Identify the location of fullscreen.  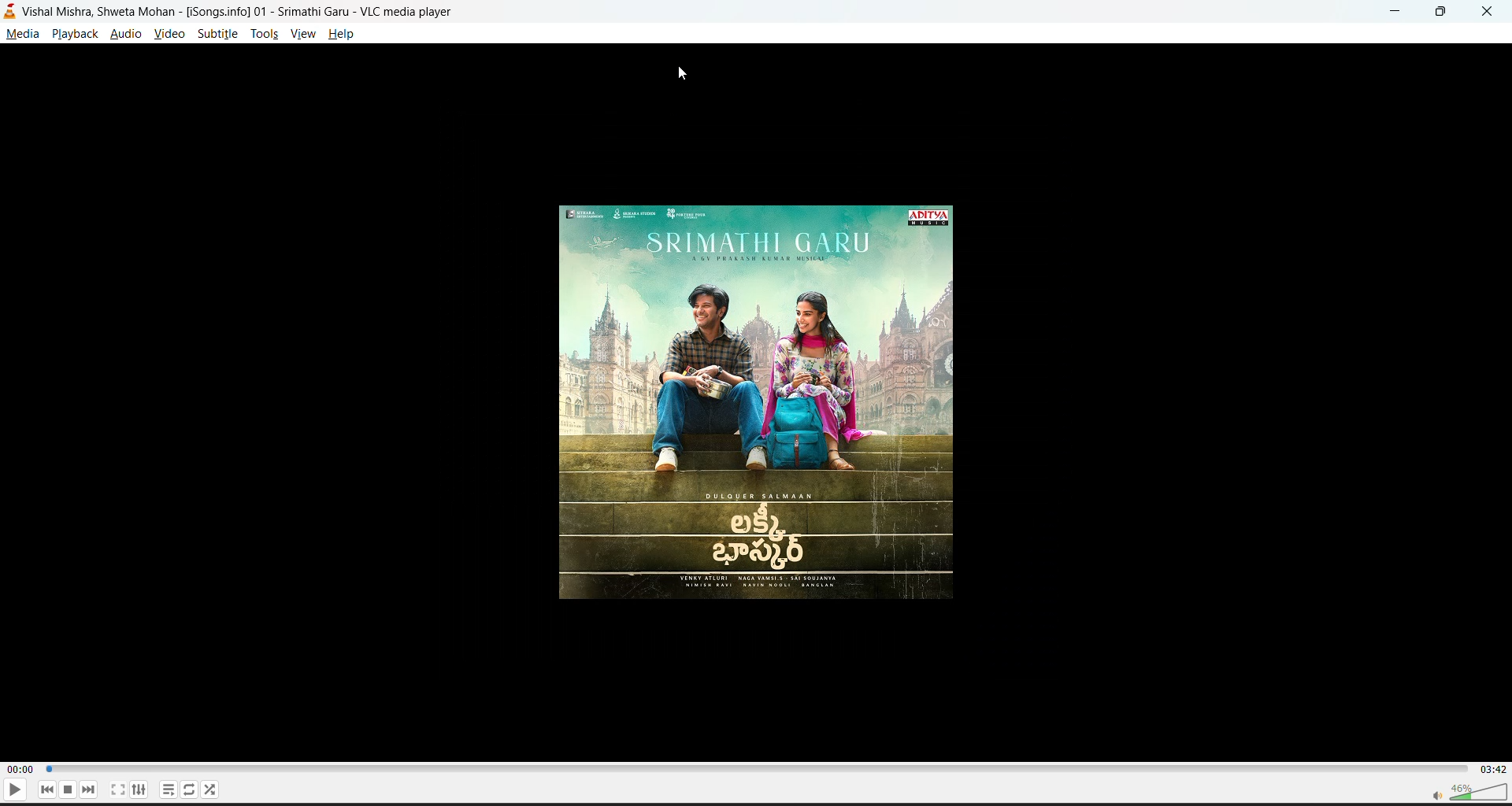
(116, 789).